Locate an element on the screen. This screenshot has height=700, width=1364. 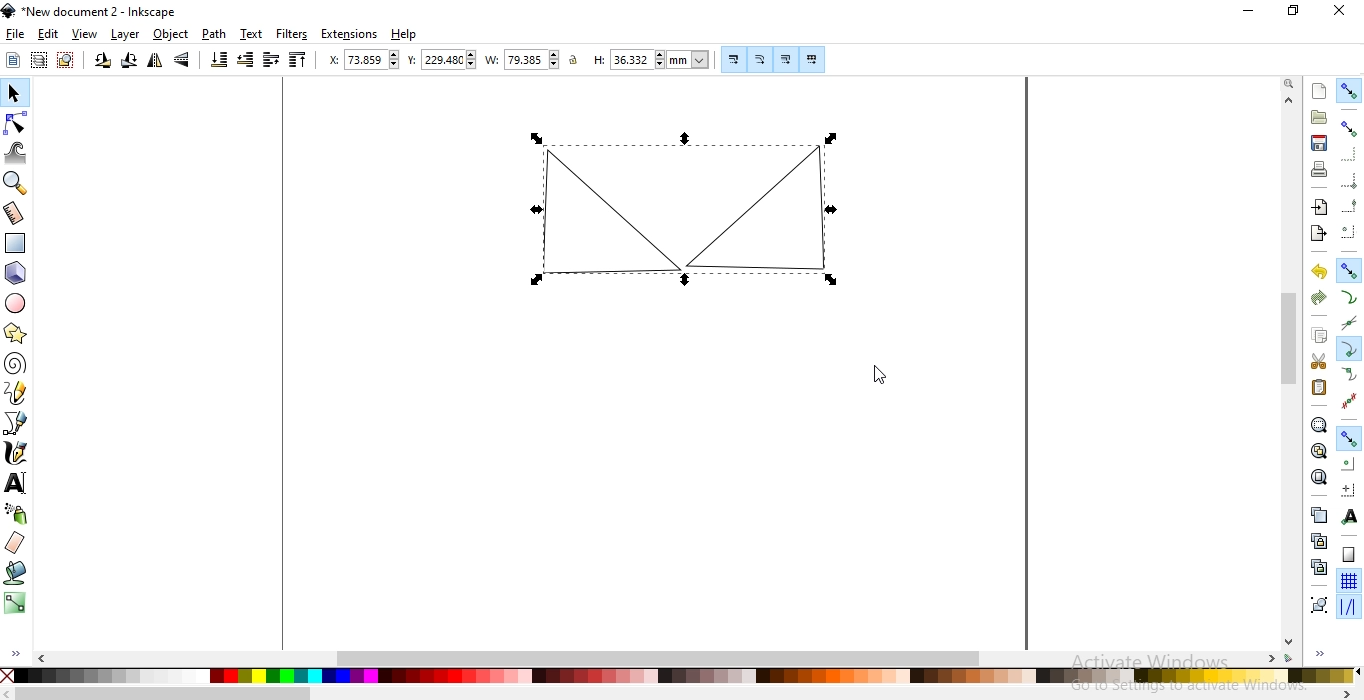
import a bitmap is located at coordinates (1319, 207).